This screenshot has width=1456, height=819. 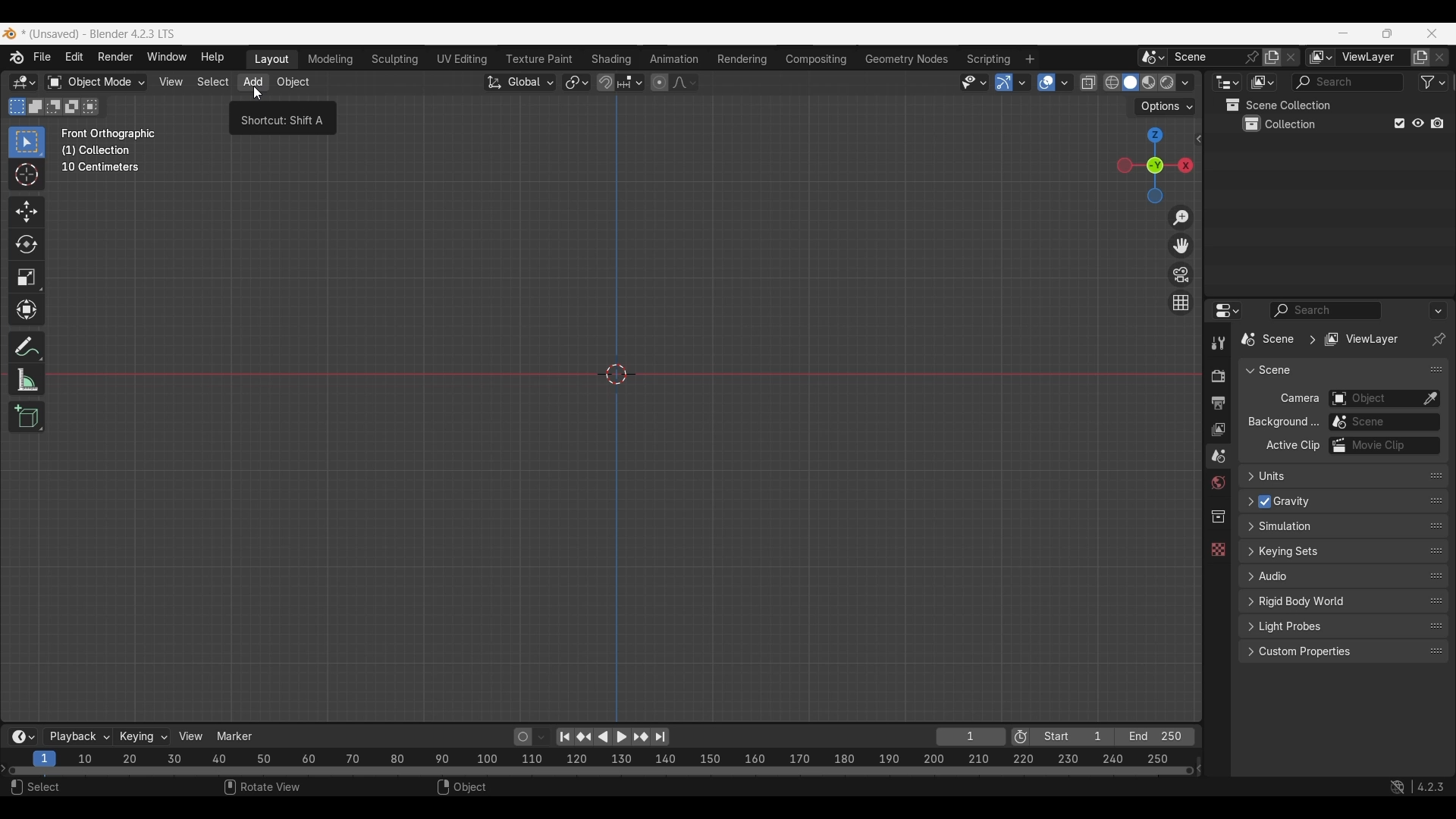 I want to click on Click to expand Simulation, so click(x=1332, y=526).